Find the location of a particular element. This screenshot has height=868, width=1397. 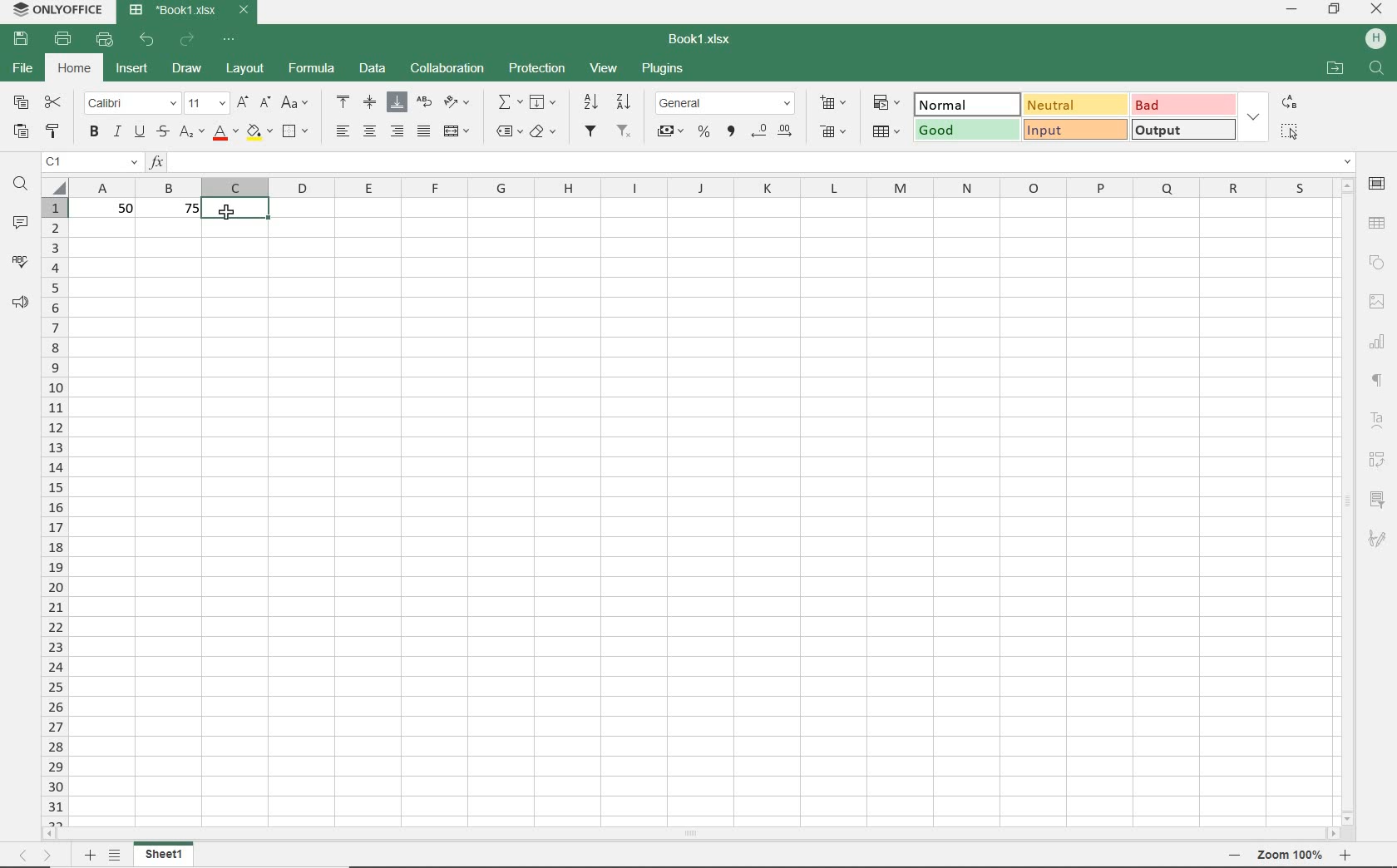

collaboration is located at coordinates (446, 68).